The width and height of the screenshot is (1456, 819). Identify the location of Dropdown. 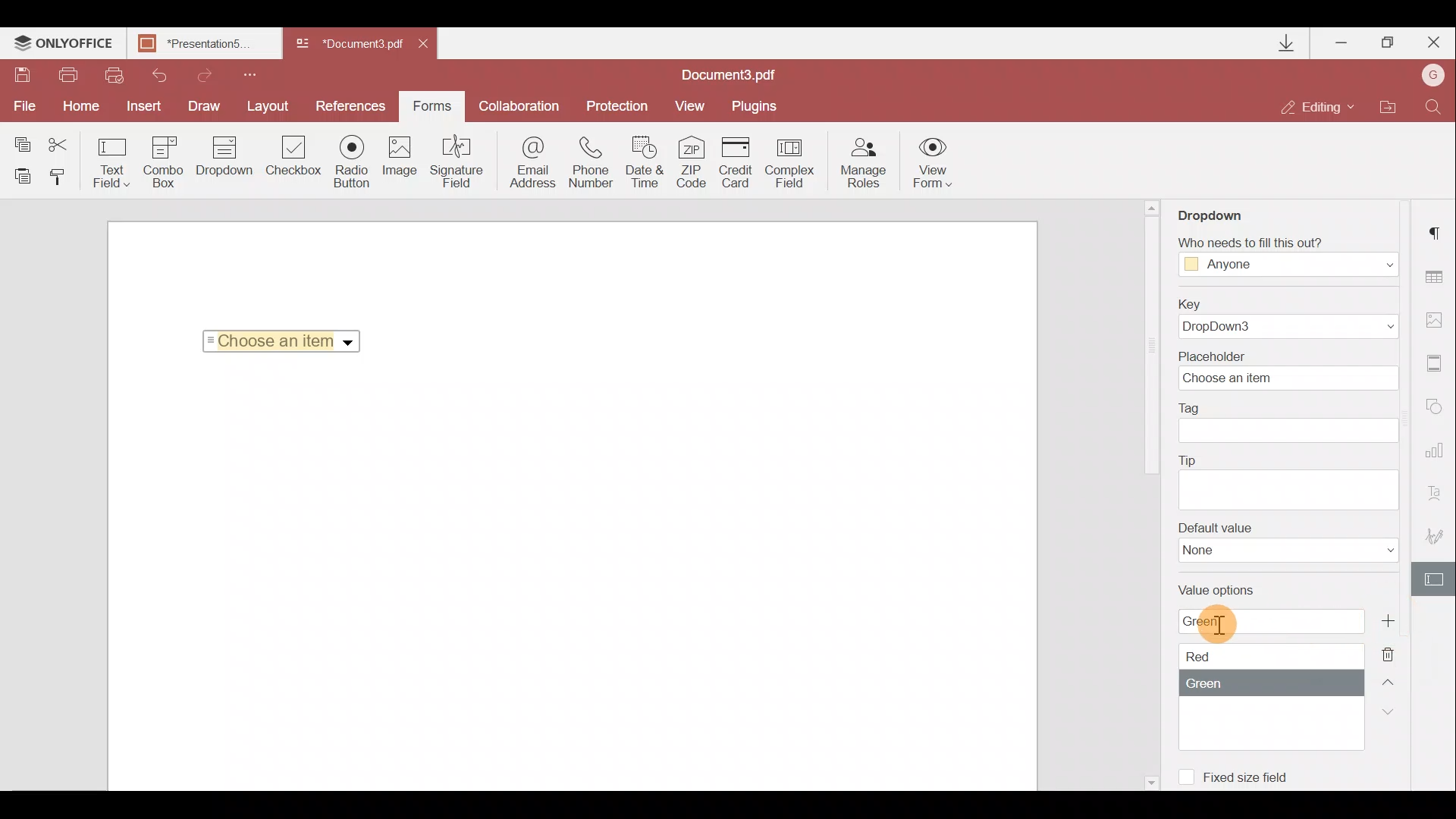
(1216, 214).